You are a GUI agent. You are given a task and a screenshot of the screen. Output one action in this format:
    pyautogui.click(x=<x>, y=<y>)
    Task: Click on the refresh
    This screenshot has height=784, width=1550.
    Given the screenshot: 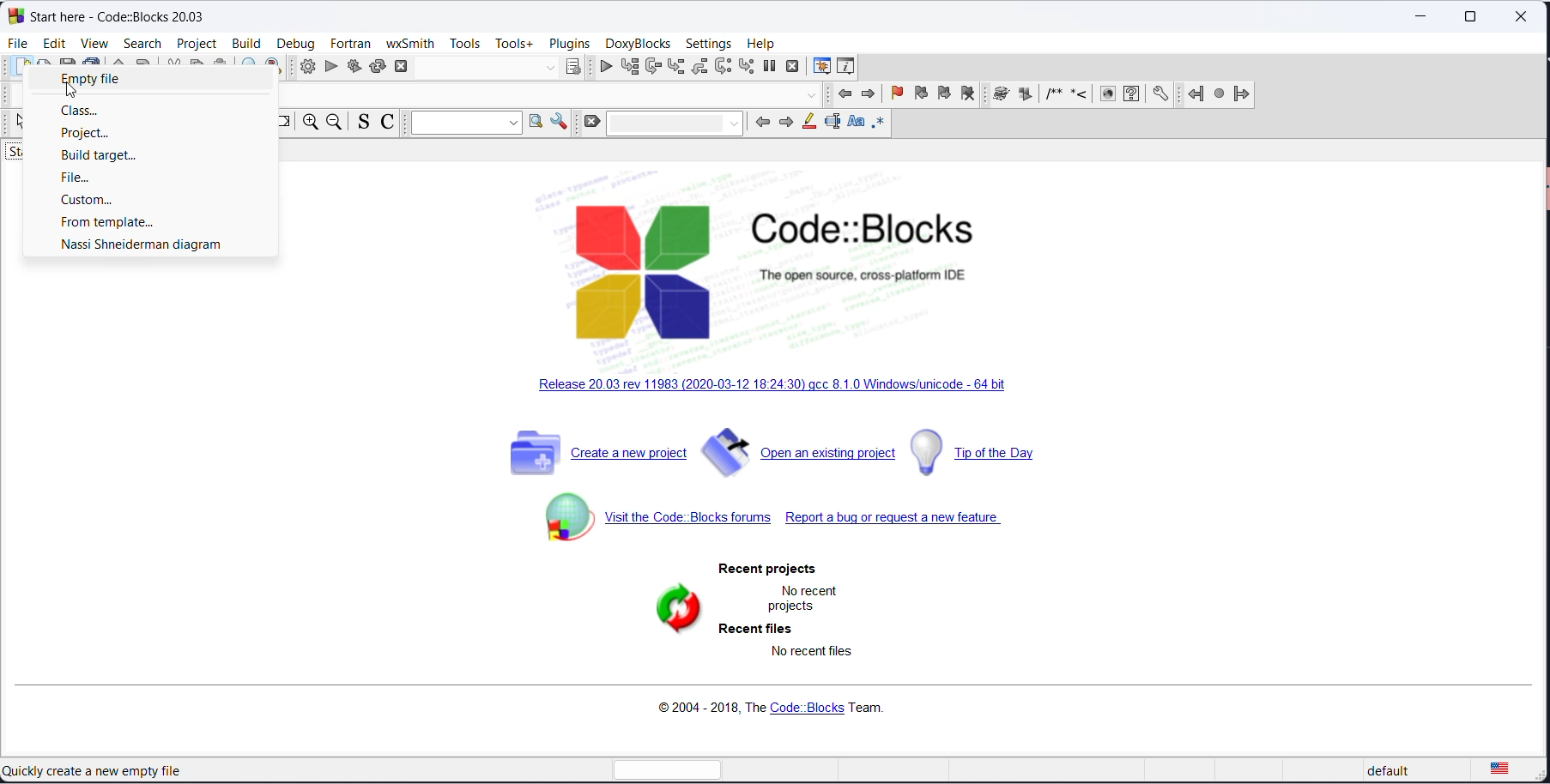 What is the action you would take?
    pyautogui.click(x=675, y=612)
    